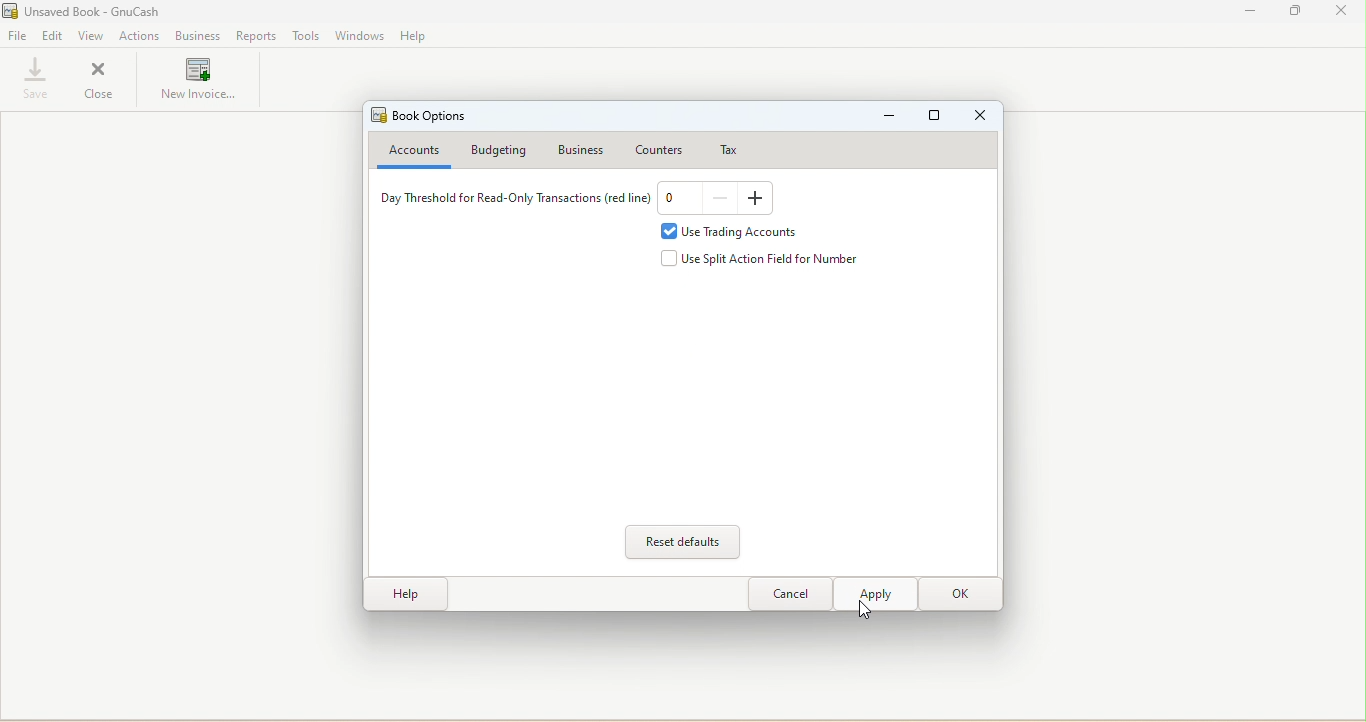 The height and width of the screenshot is (722, 1366). Describe the element at coordinates (403, 595) in the screenshot. I see `Help` at that location.